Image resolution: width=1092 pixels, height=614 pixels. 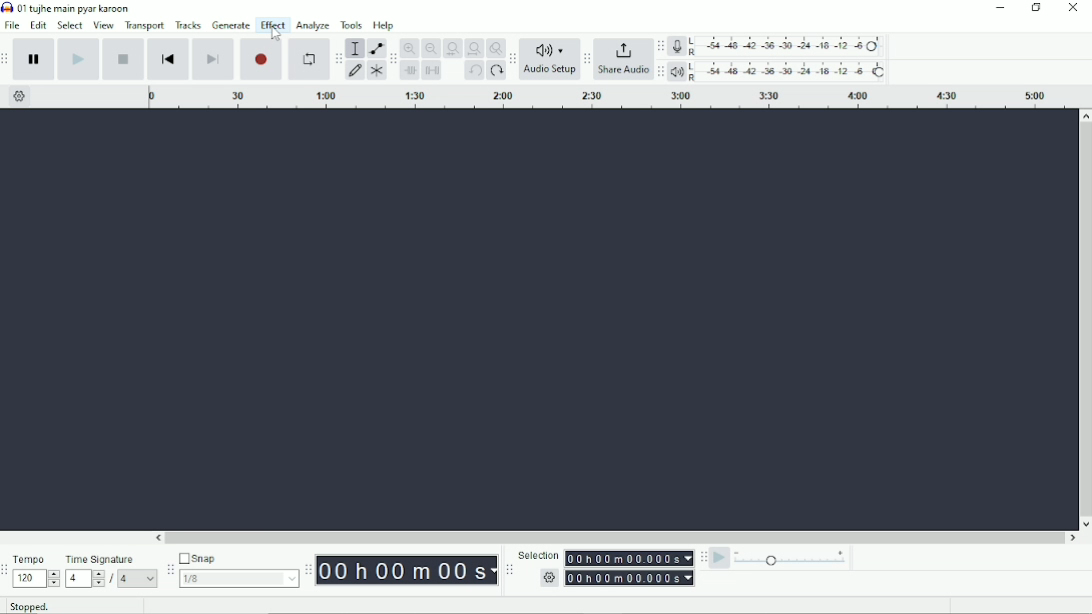 I want to click on Minimize, so click(x=996, y=8).